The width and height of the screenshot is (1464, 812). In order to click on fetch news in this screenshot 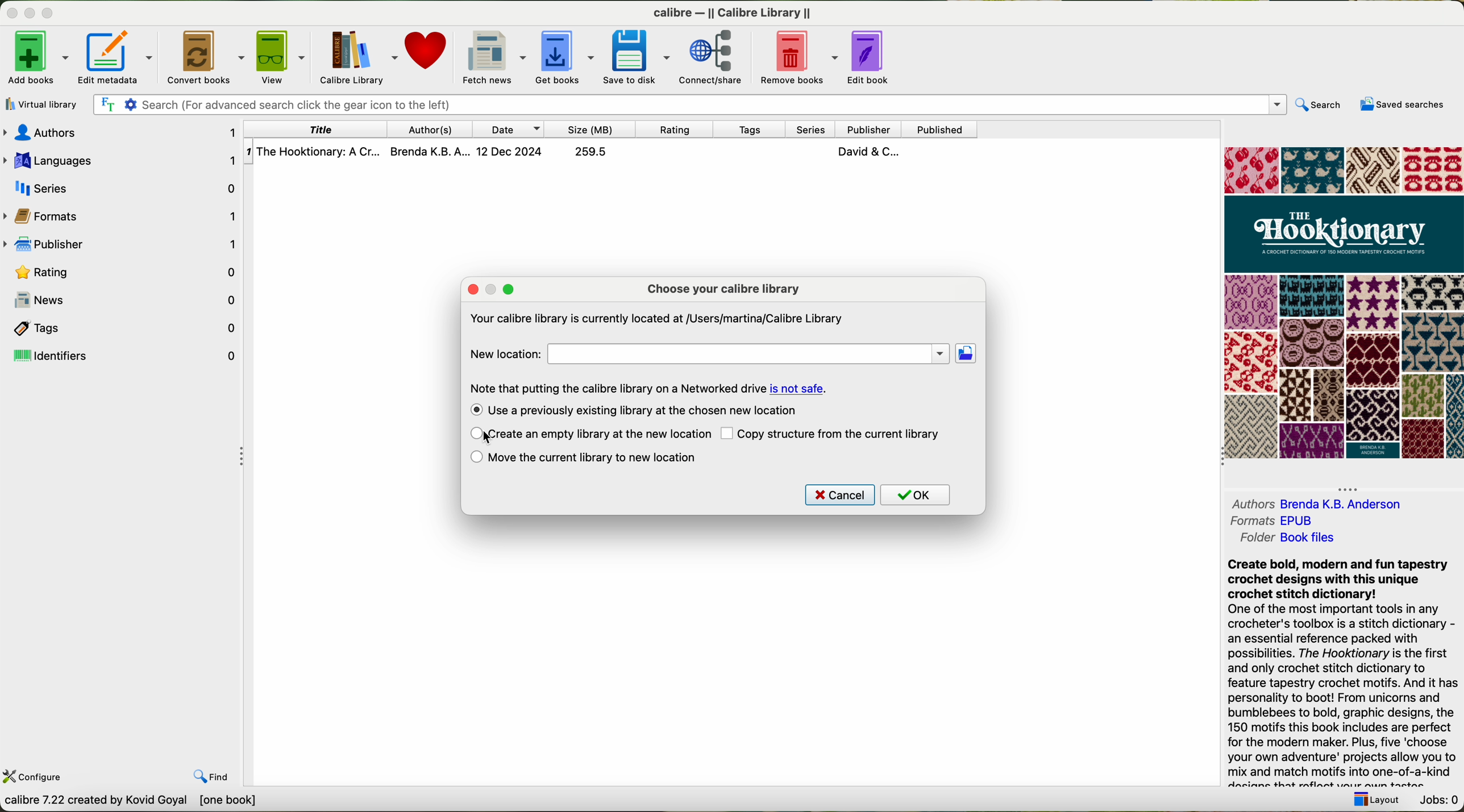, I will do `click(495, 58)`.